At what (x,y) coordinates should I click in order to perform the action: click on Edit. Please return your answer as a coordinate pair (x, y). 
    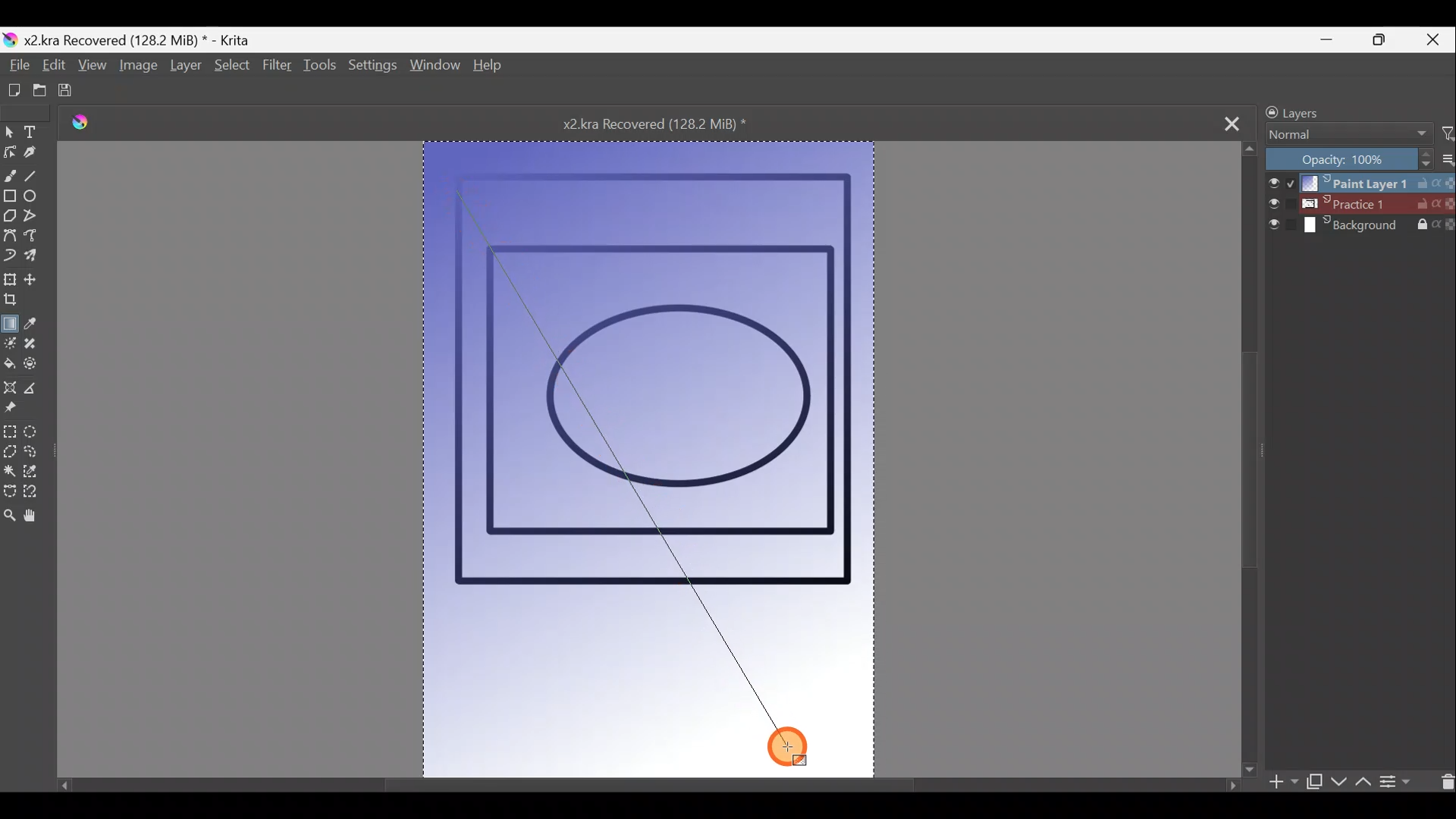
    Looking at the image, I should click on (52, 68).